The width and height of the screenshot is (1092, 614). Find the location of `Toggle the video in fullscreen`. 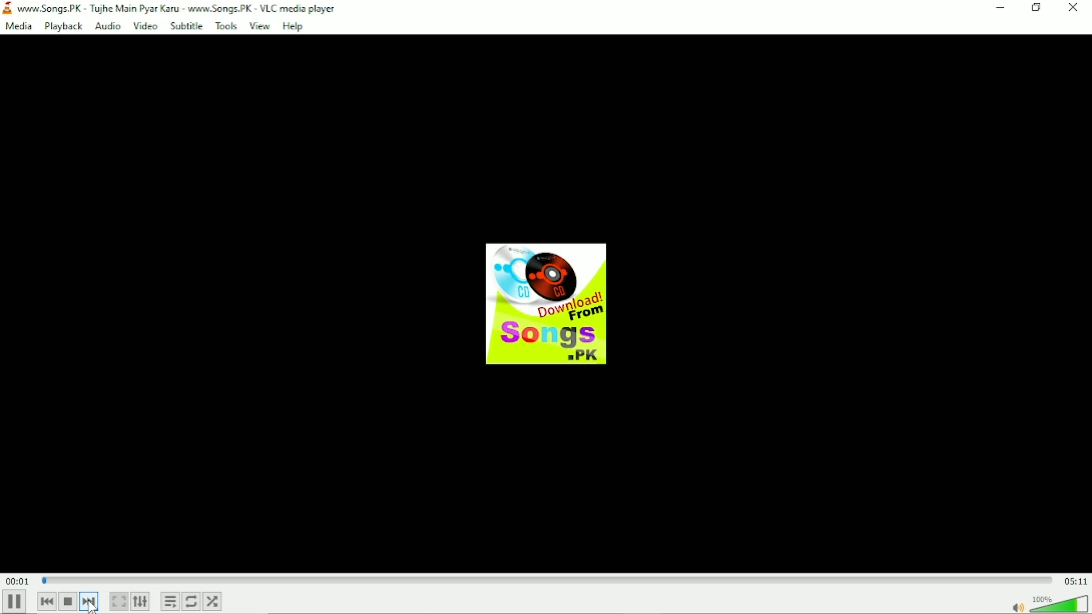

Toggle the video in fullscreen is located at coordinates (119, 601).